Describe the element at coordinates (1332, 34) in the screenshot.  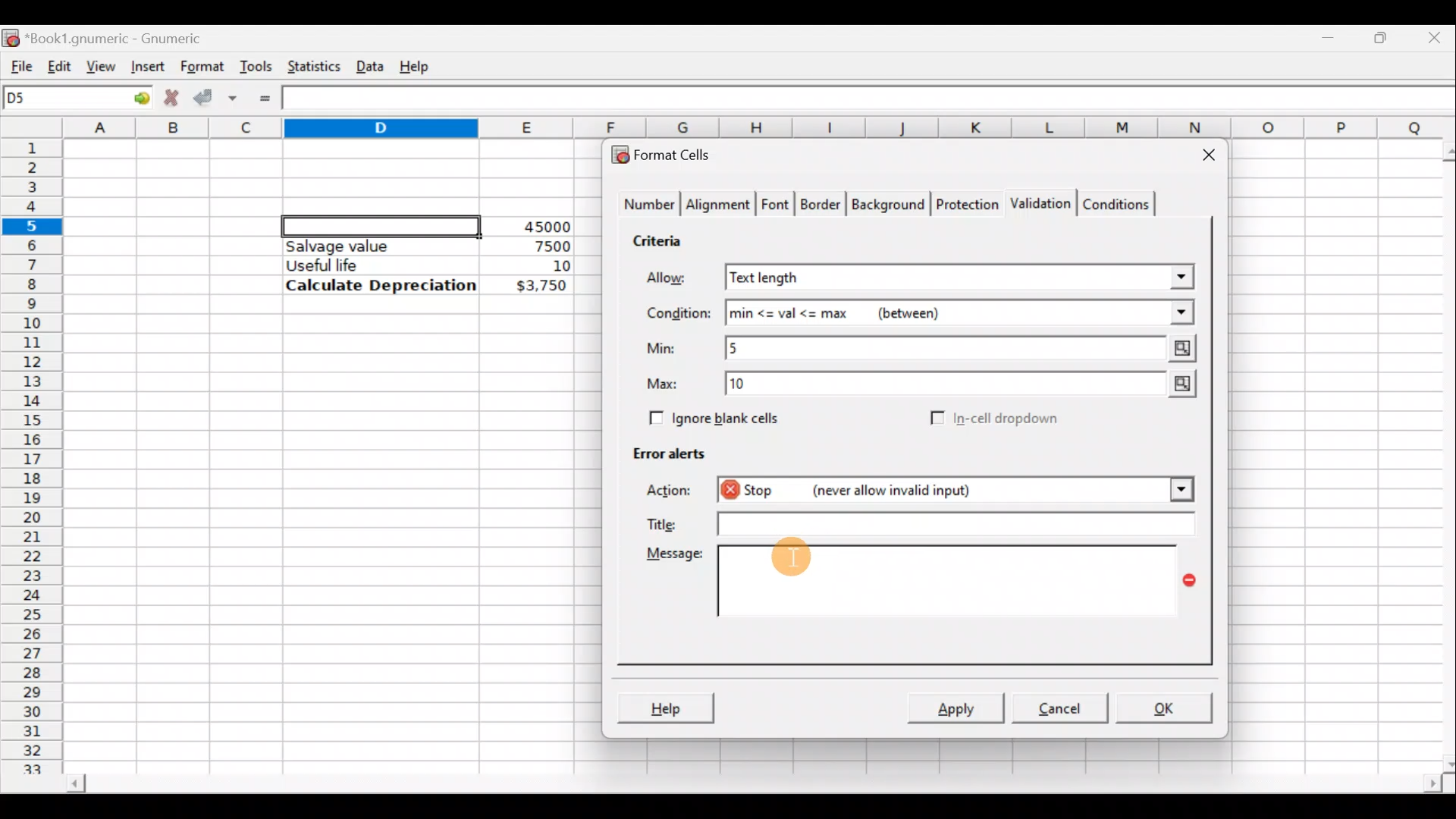
I see `Minimize` at that location.